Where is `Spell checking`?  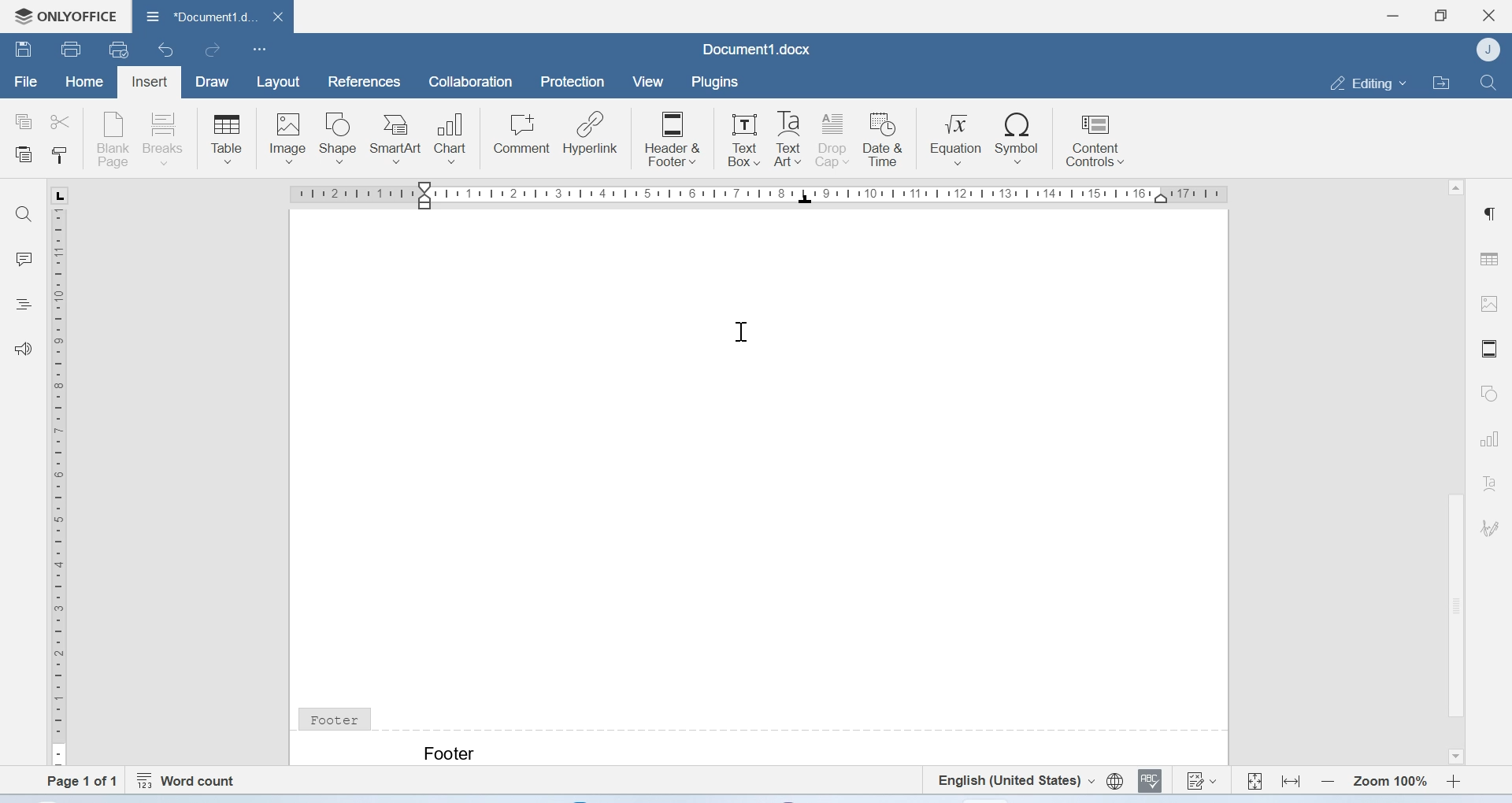
Spell checking is located at coordinates (1152, 782).